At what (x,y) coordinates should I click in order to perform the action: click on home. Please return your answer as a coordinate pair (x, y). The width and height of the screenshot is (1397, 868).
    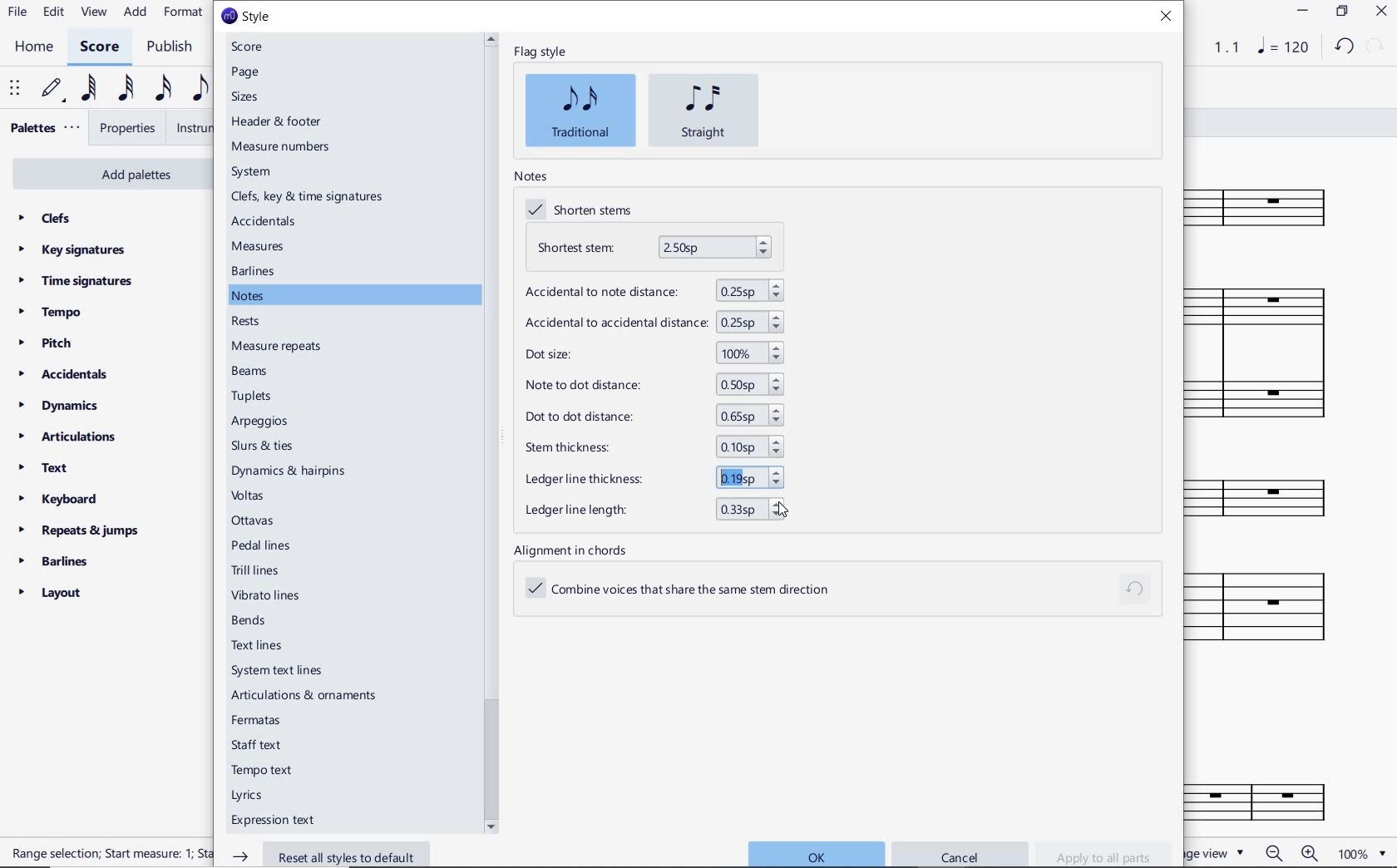
    Looking at the image, I should click on (37, 47).